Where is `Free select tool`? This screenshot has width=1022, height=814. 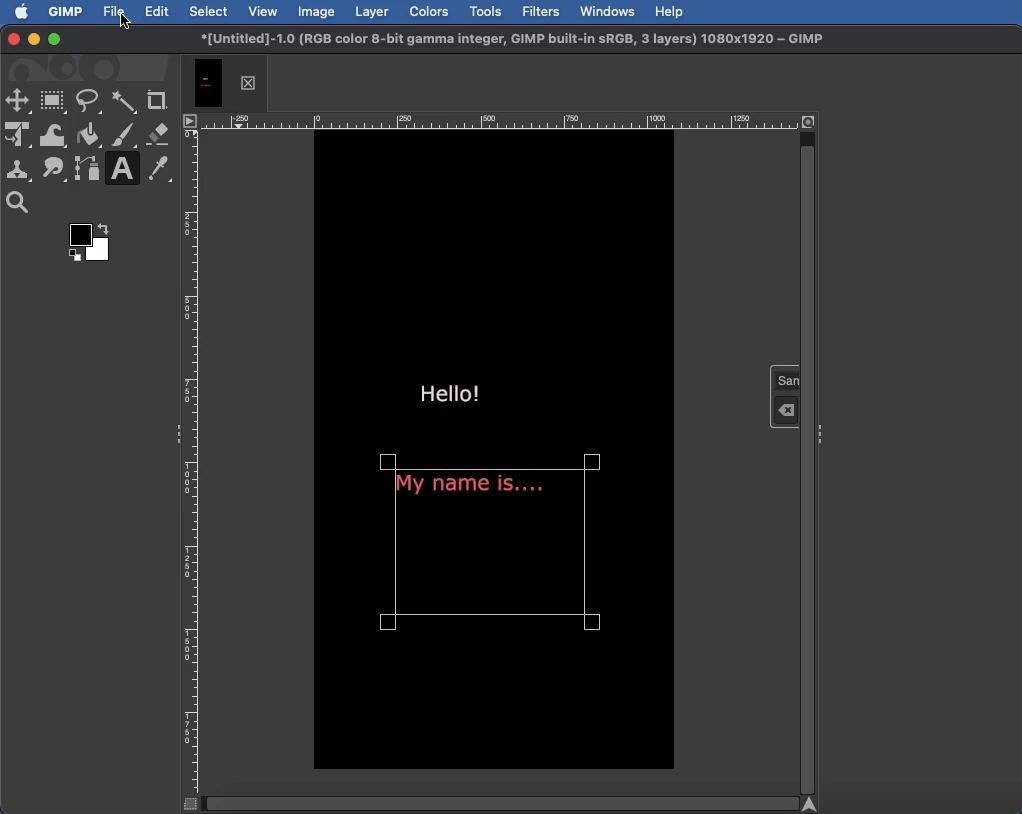
Free select tool is located at coordinates (89, 103).